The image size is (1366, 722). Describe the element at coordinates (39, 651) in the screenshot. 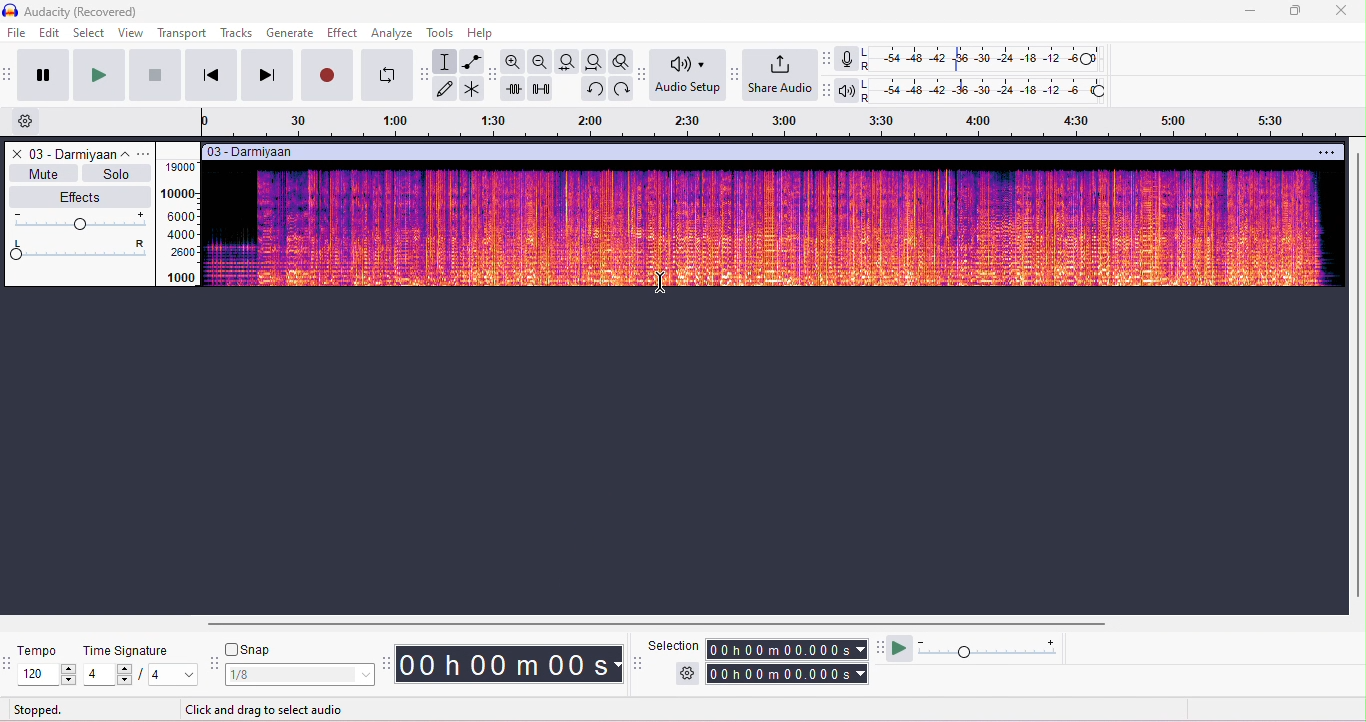

I see `tempo` at that location.